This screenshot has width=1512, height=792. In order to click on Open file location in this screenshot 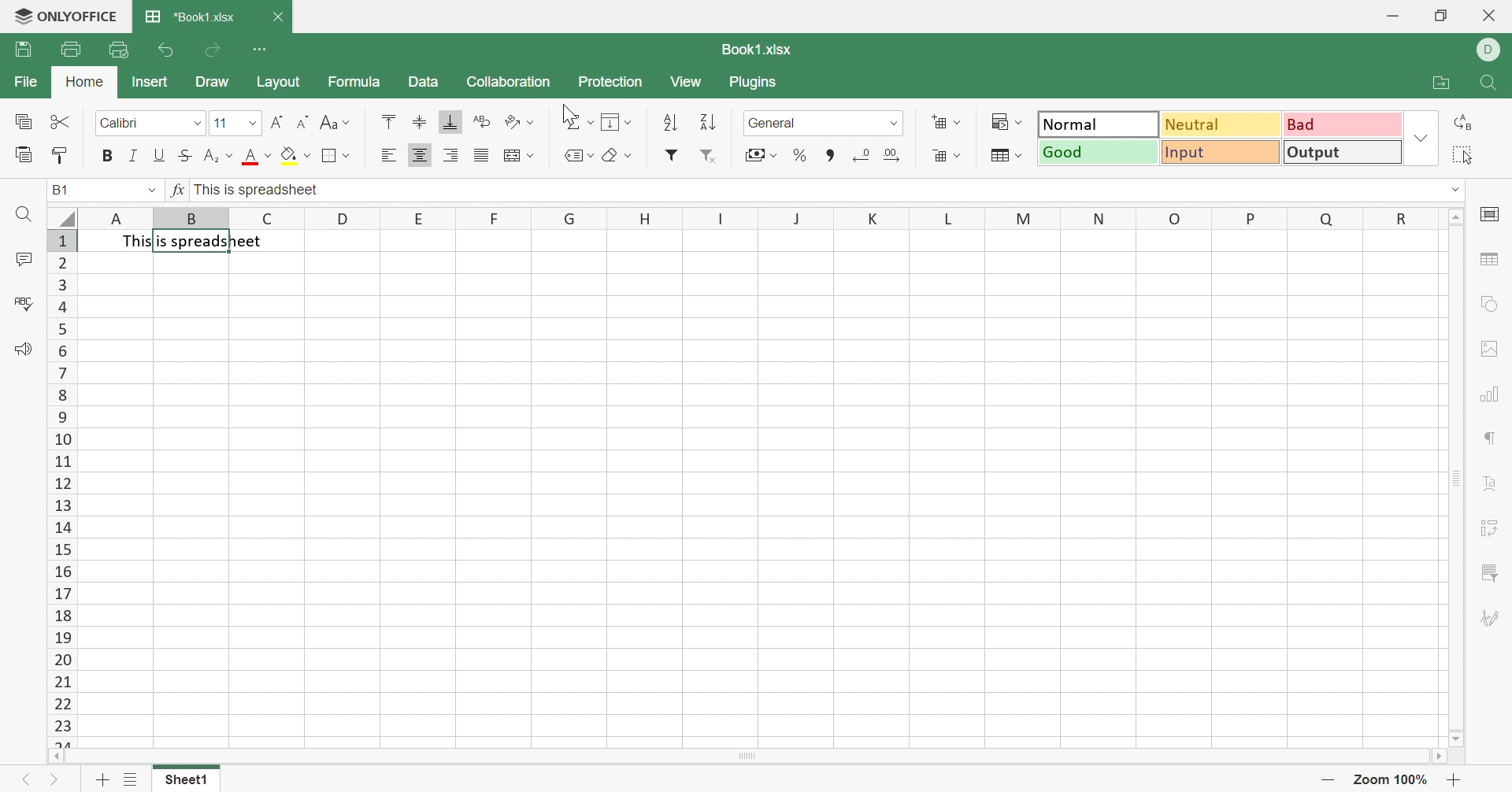, I will do `click(1437, 85)`.